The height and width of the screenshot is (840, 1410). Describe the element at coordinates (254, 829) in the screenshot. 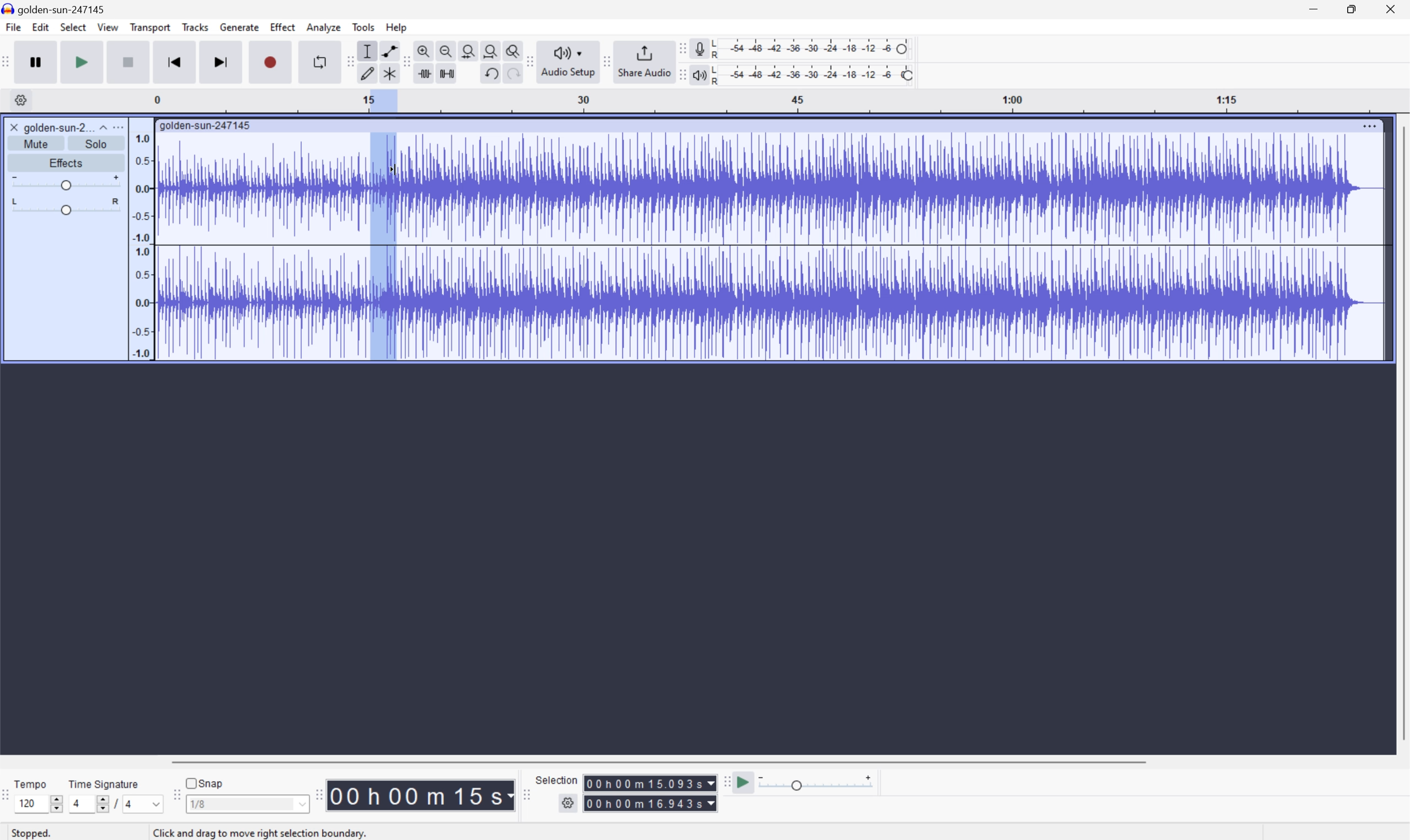

I see `Click and drag to select audio` at that location.